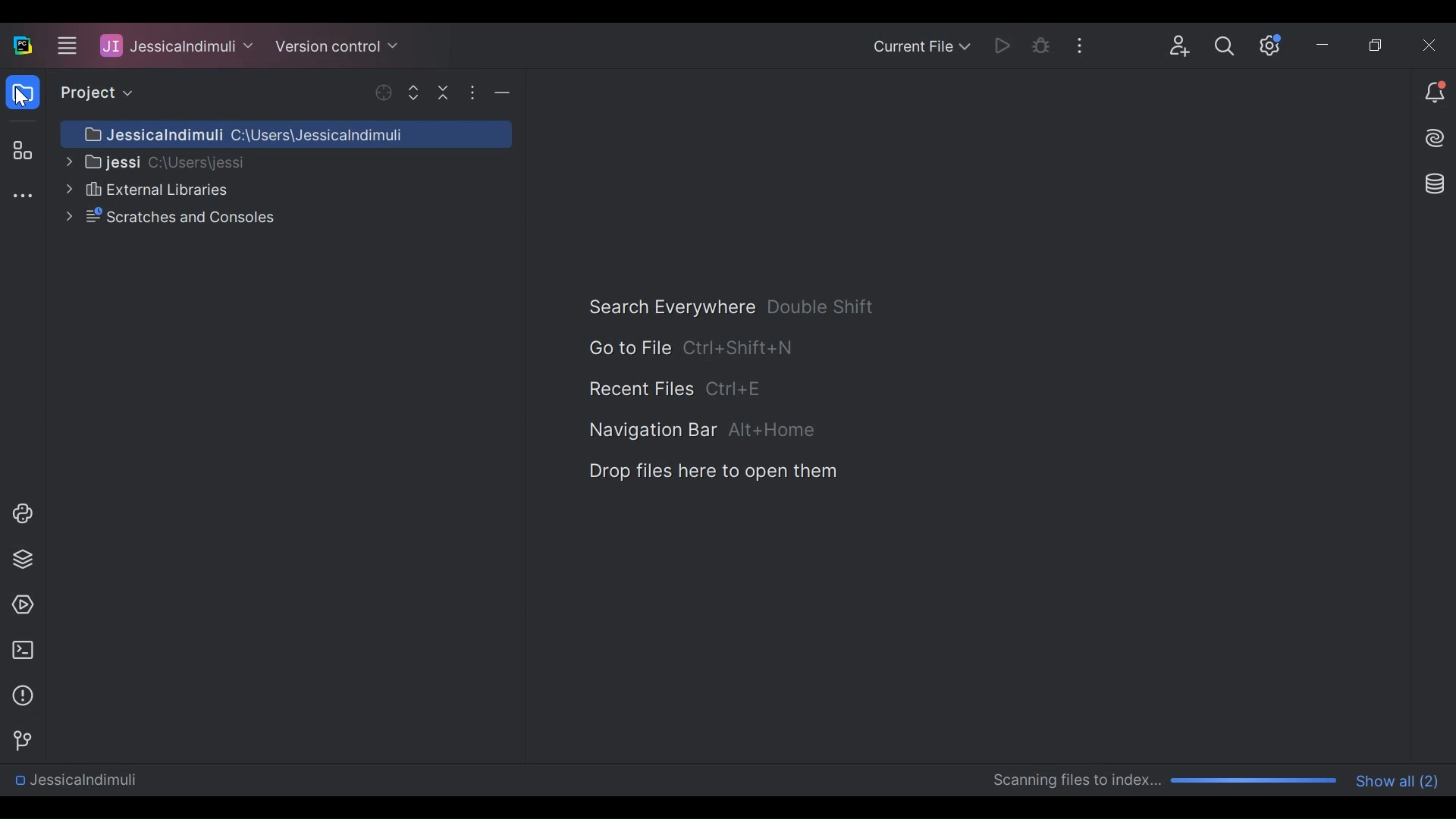  Describe the element at coordinates (675, 390) in the screenshot. I see `Recent File` at that location.